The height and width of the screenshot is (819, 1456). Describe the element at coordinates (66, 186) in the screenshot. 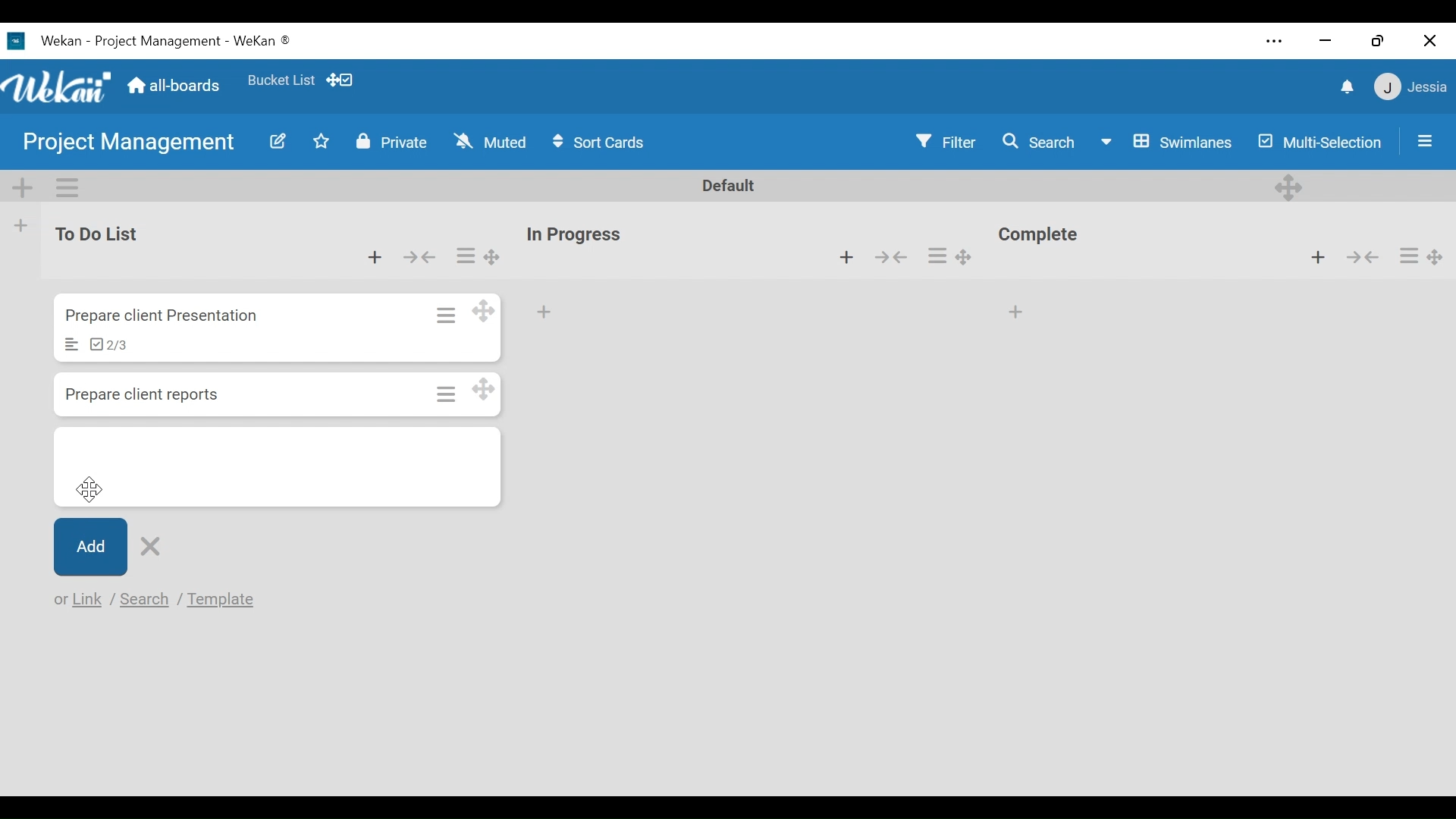

I see `List actions` at that location.